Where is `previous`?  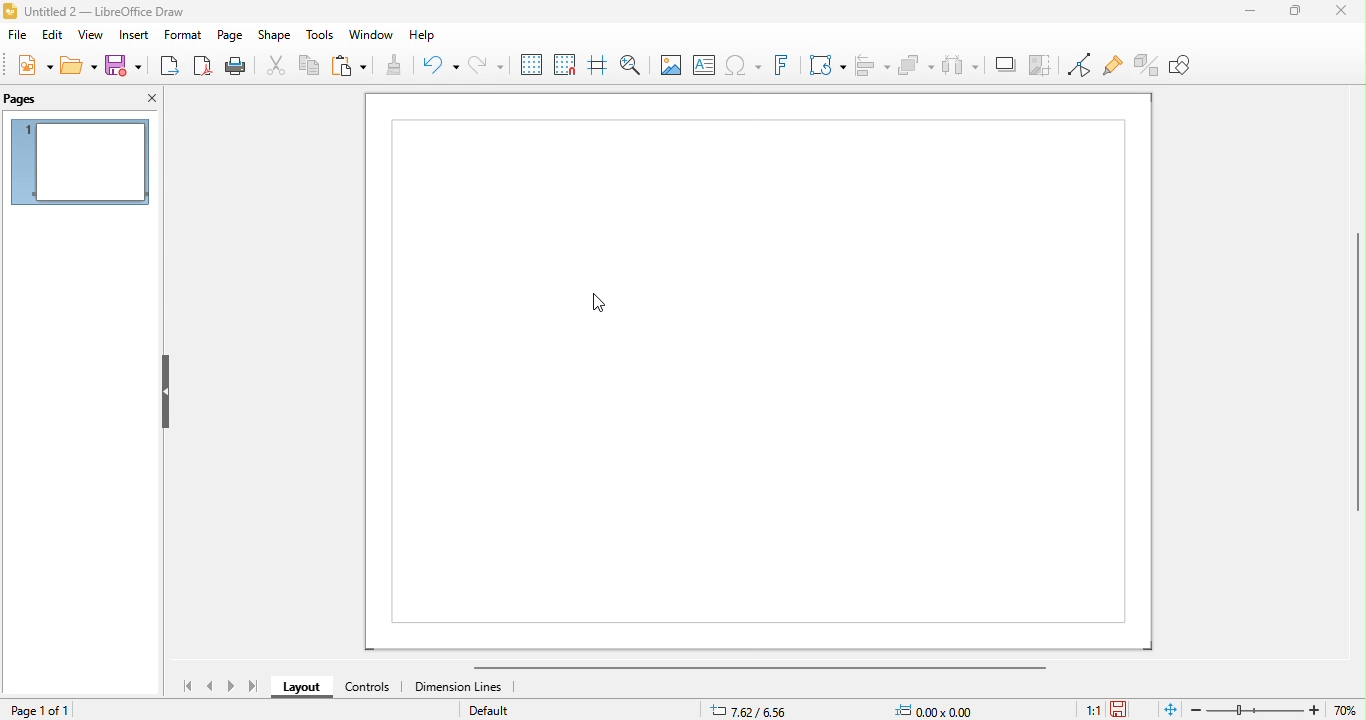
previous is located at coordinates (212, 687).